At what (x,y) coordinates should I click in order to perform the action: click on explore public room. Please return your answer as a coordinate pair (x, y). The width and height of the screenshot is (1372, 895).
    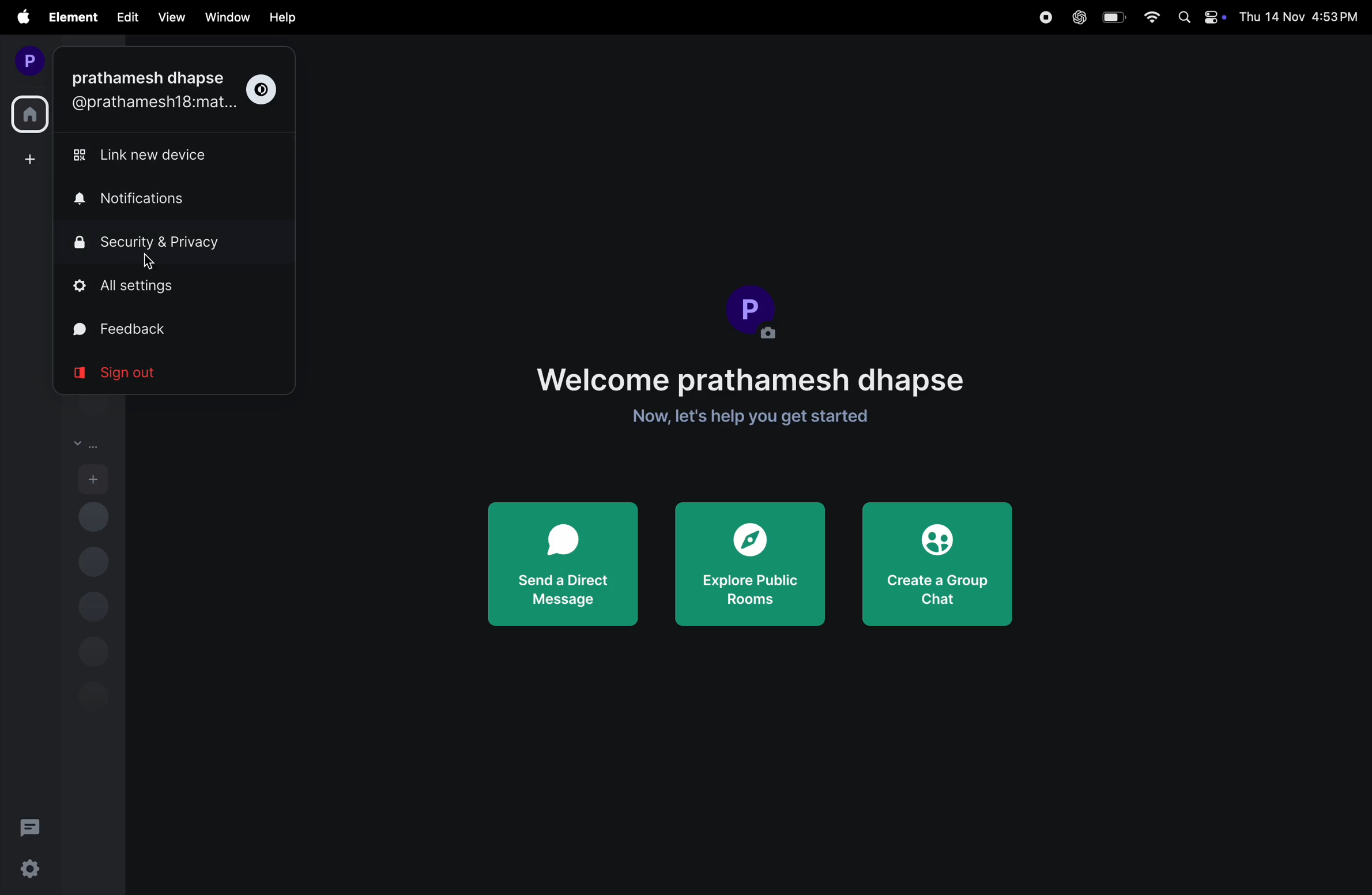
    Looking at the image, I should click on (751, 565).